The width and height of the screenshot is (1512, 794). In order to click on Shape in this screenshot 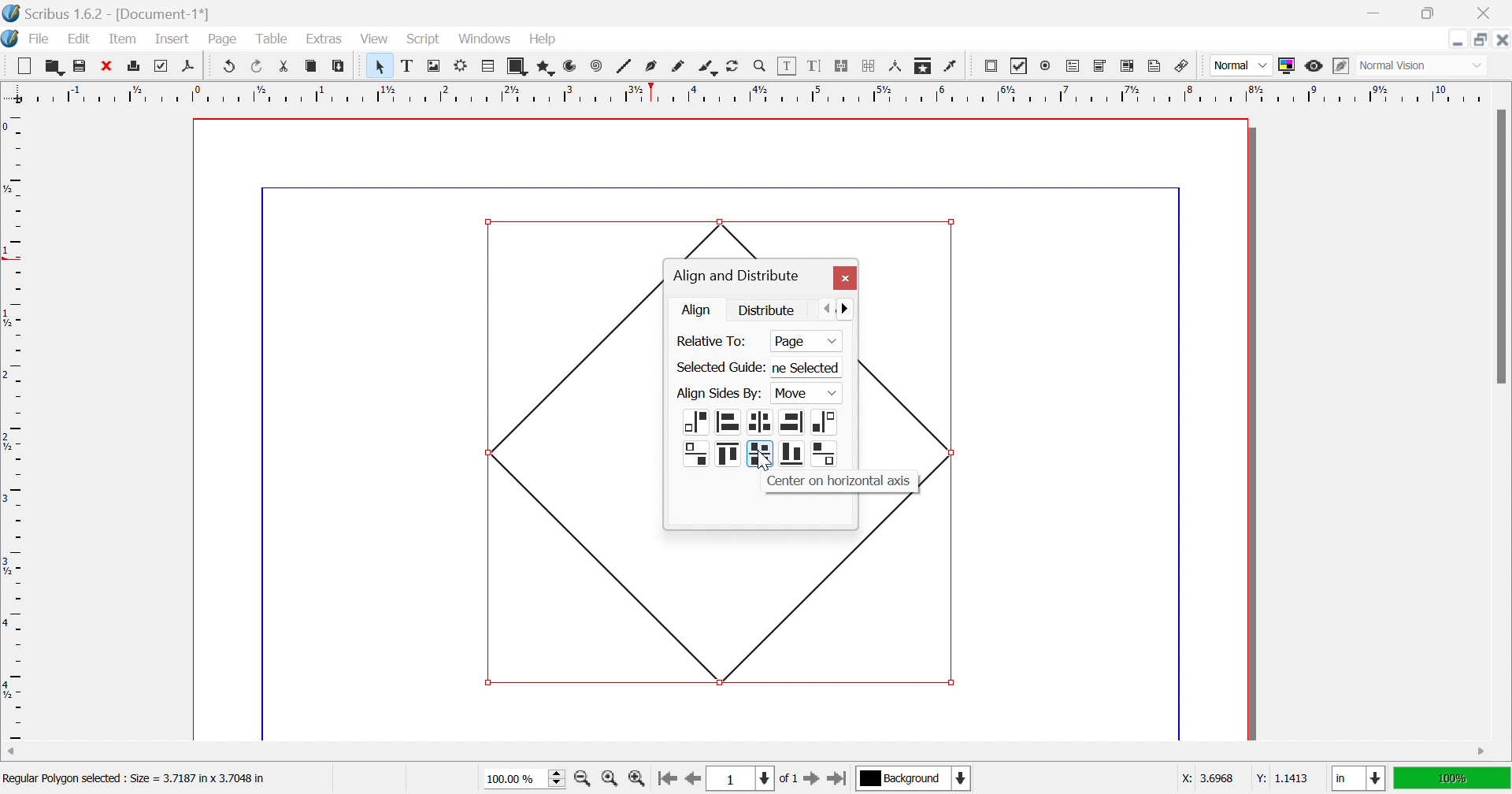, I will do `click(572, 448)`.